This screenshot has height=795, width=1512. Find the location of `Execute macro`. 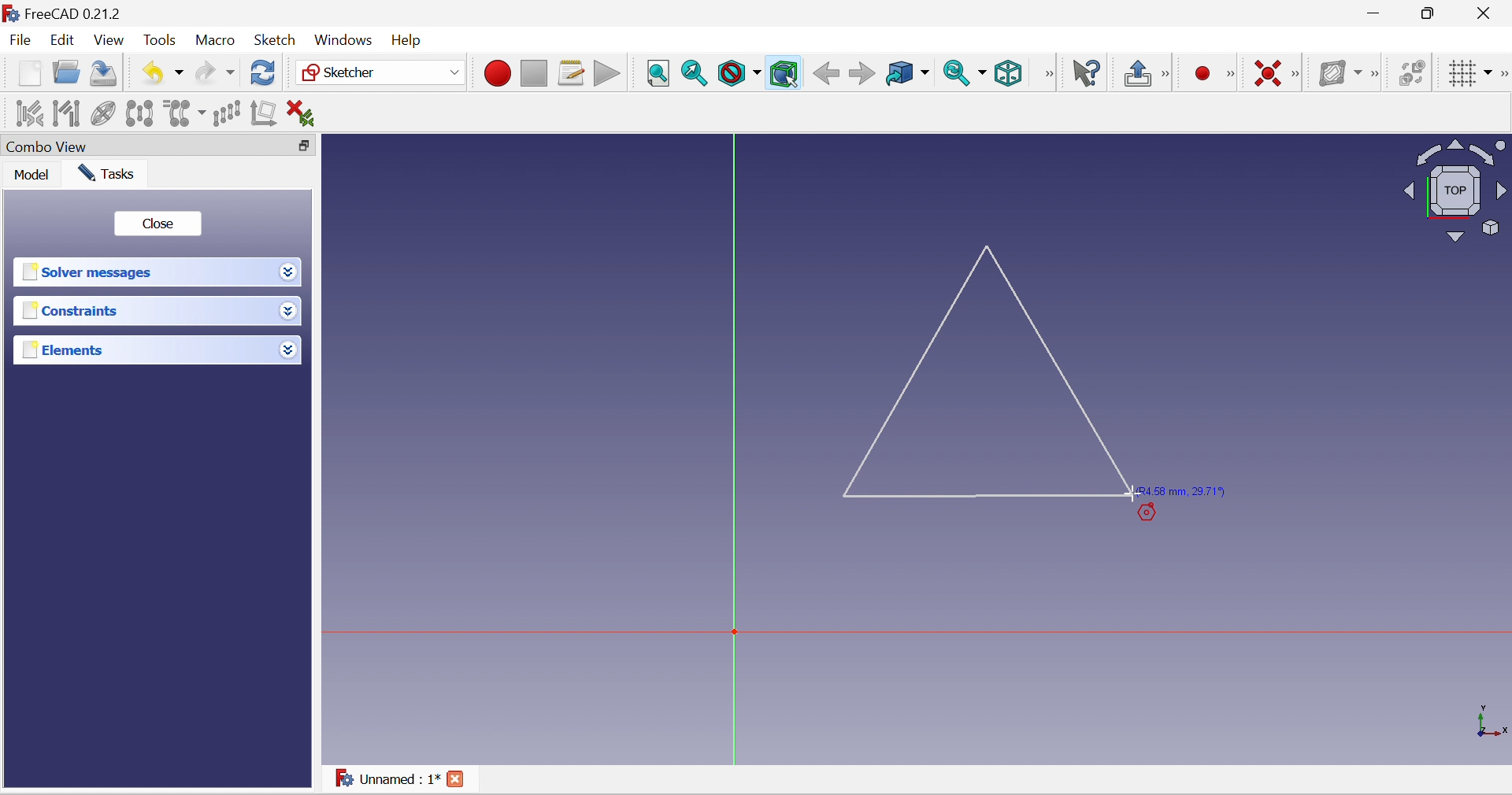

Execute macro is located at coordinates (605, 72).